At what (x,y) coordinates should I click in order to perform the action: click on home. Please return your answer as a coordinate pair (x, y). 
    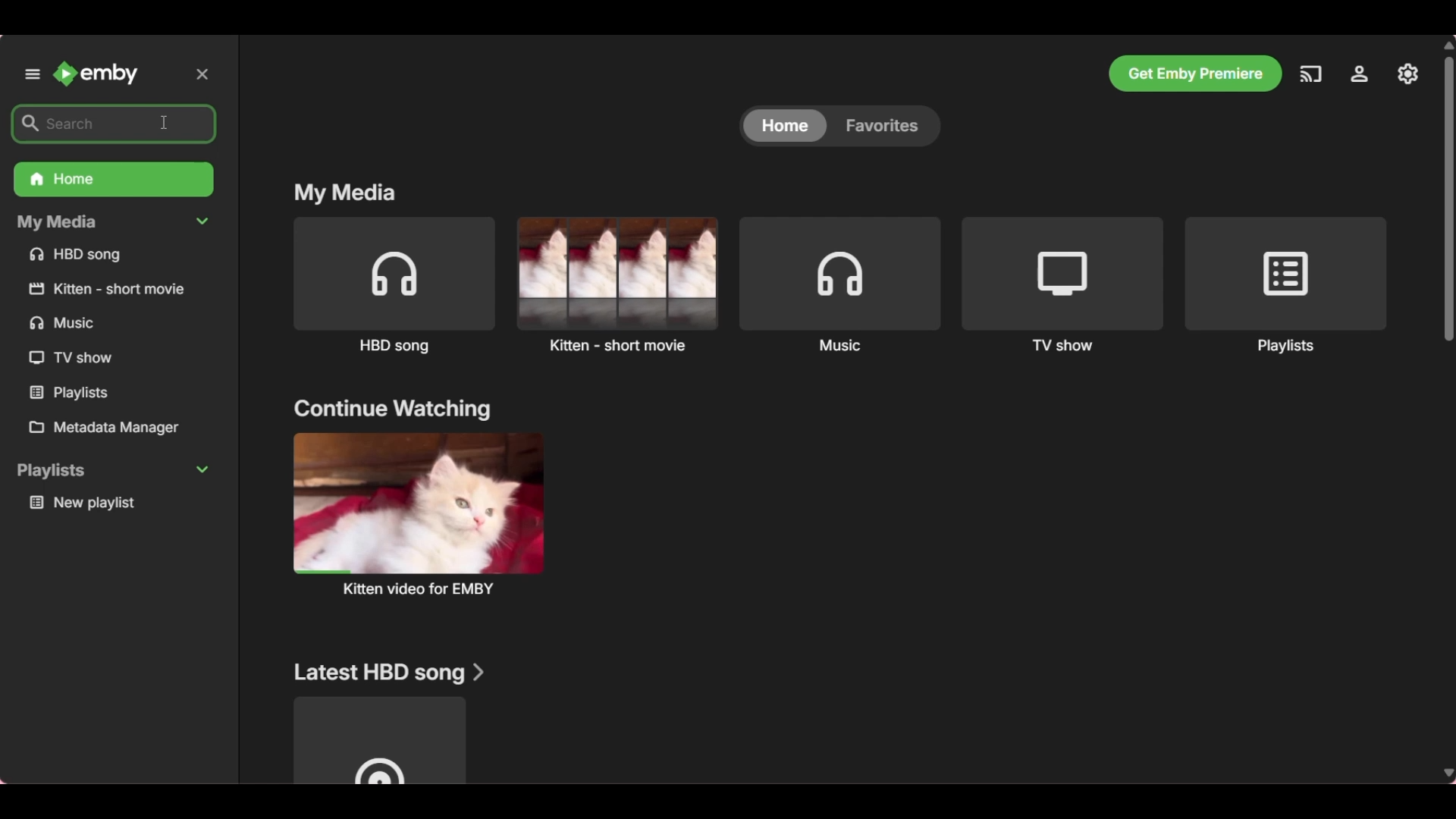
    Looking at the image, I should click on (782, 127).